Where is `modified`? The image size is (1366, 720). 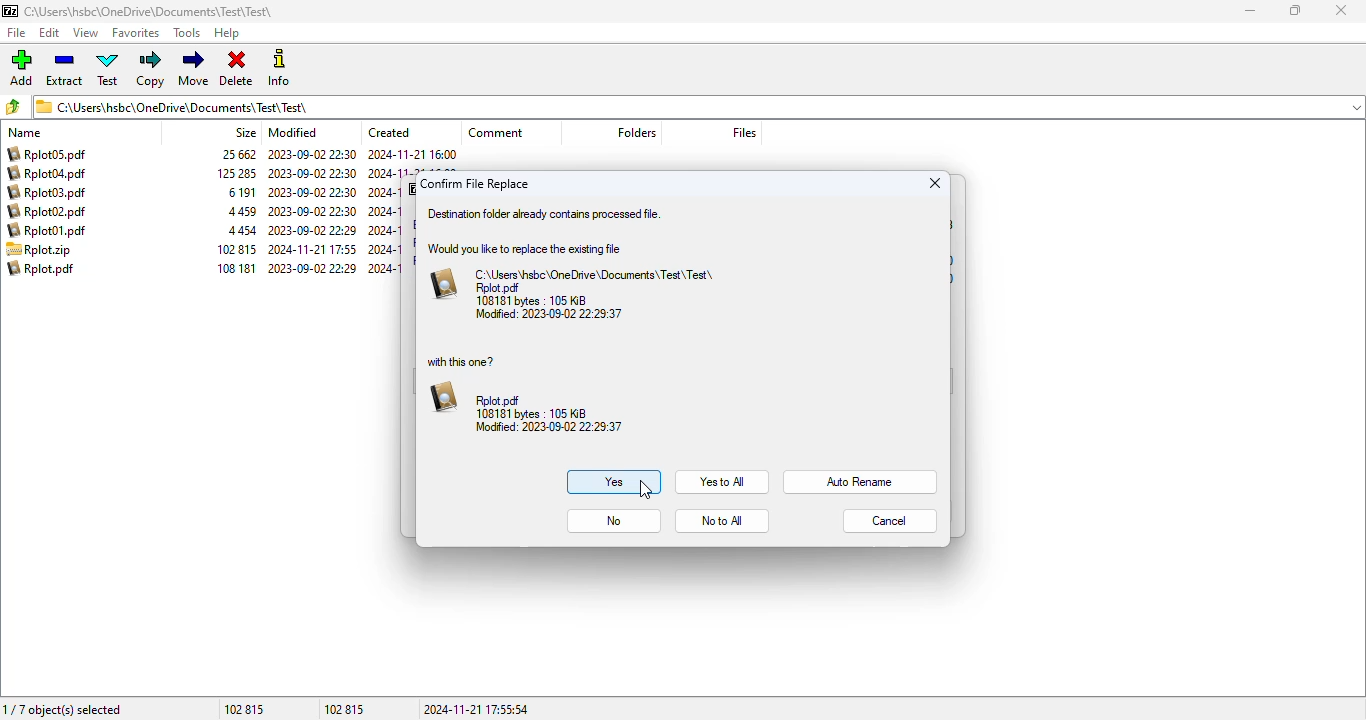 modified is located at coordinates (294, 132).